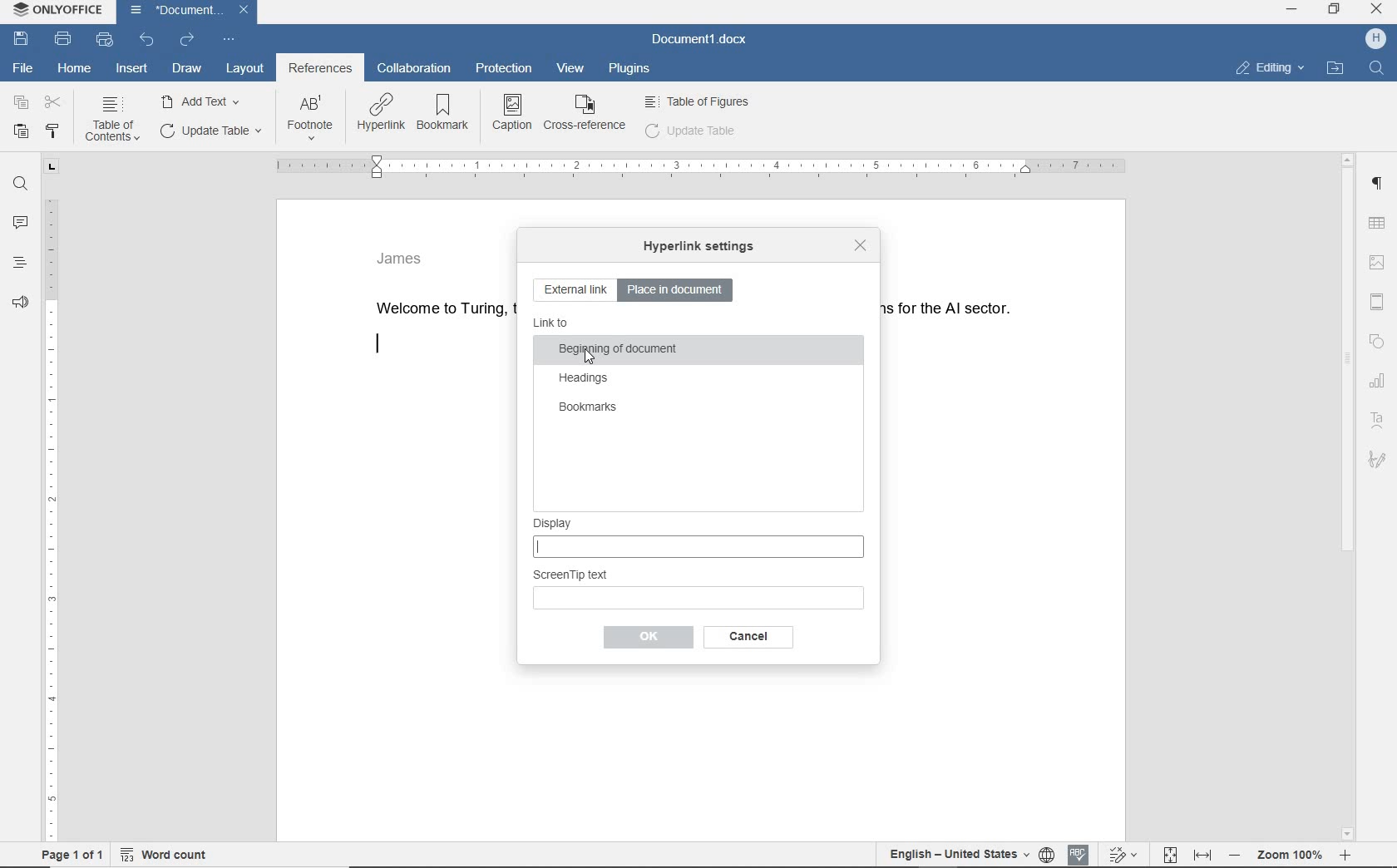 The width and height of the screenshot is (1397, 868). Describe the element at coordinates (858, 244) in the screenshot. I see `close` at that location.